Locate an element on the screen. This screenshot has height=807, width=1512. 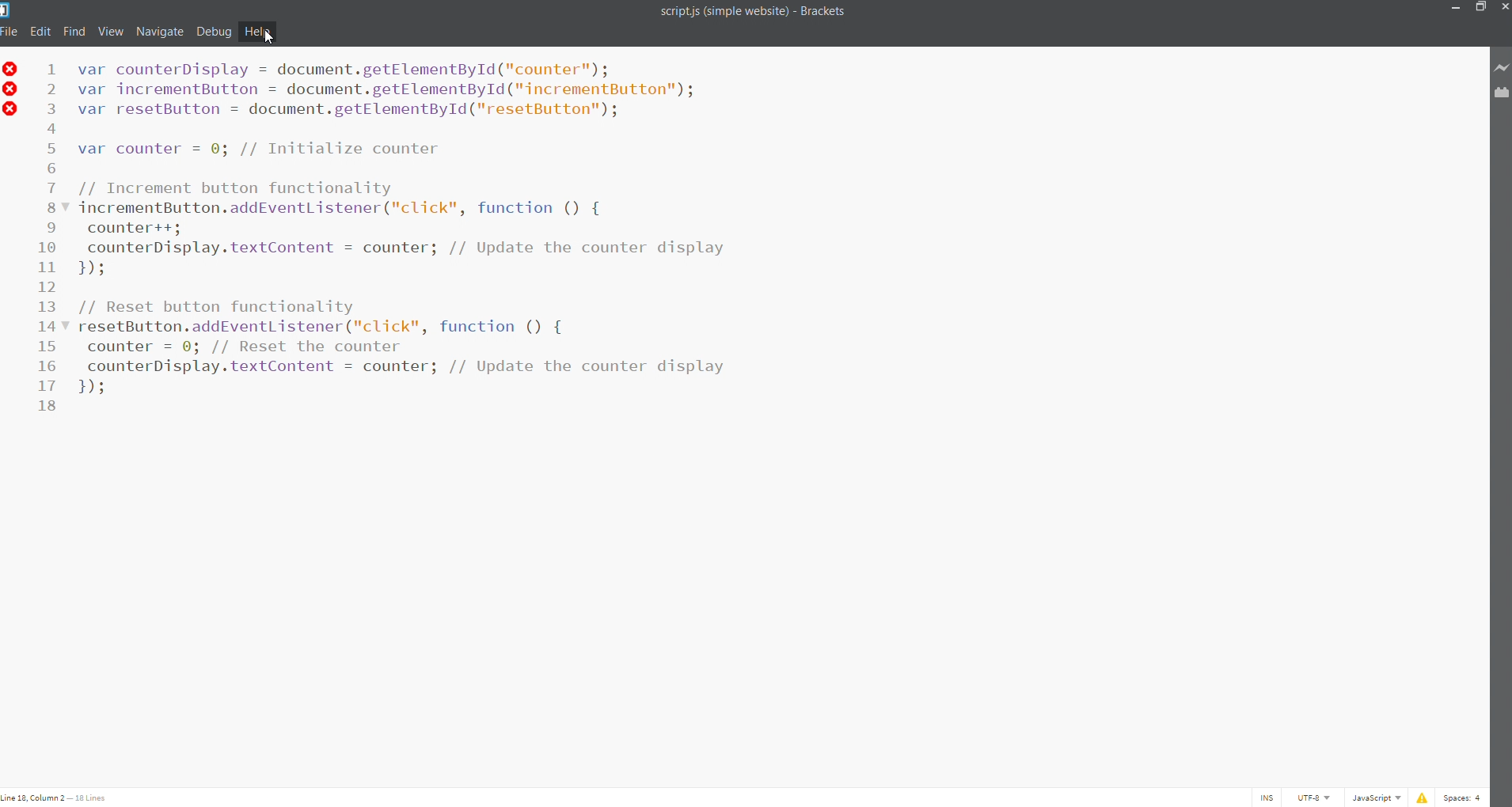
find is located at coordinates (76, 30).